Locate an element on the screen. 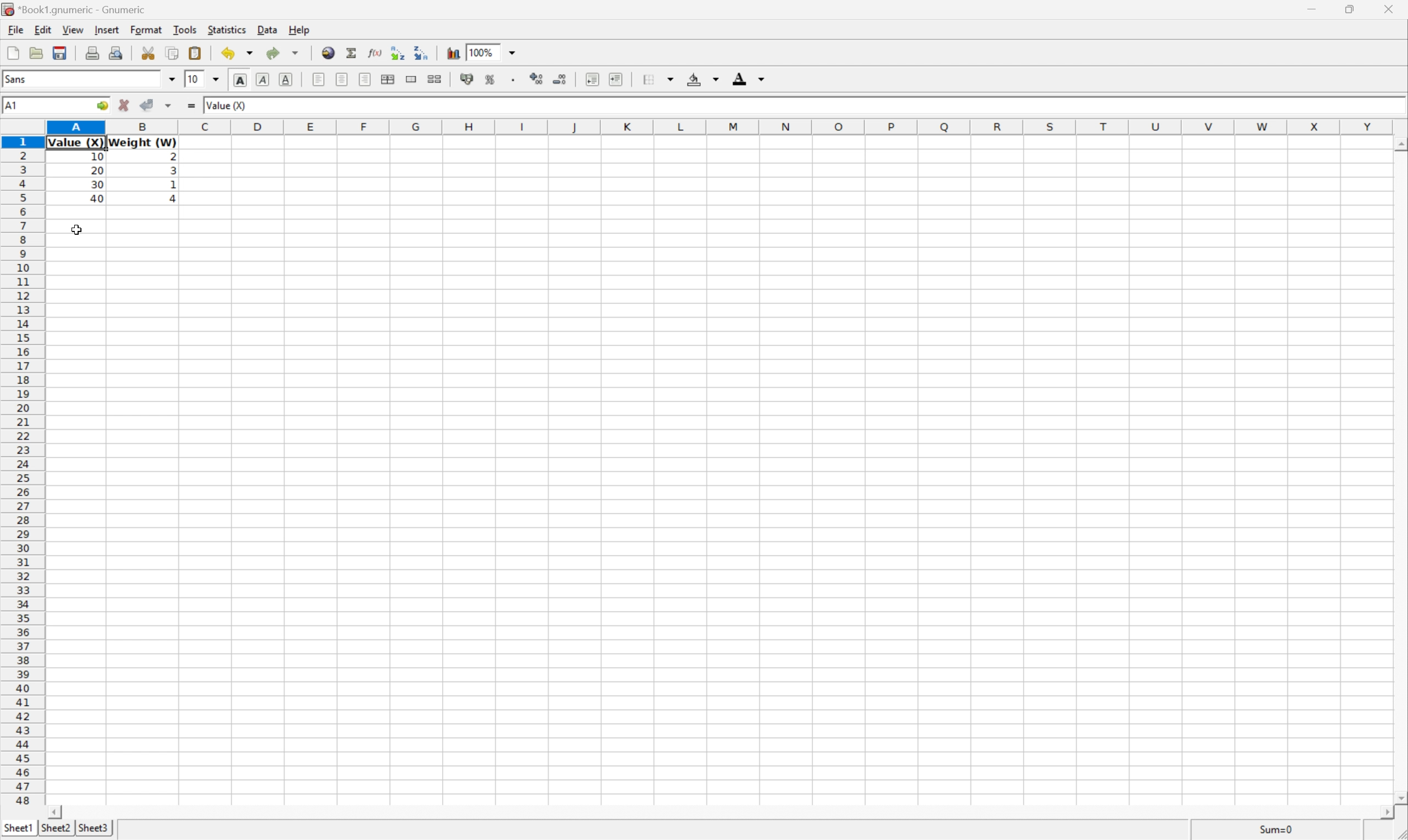 Image resolution: width=1408 pixels, height=840 pixels. Go to is located at coordinates (102, 105).